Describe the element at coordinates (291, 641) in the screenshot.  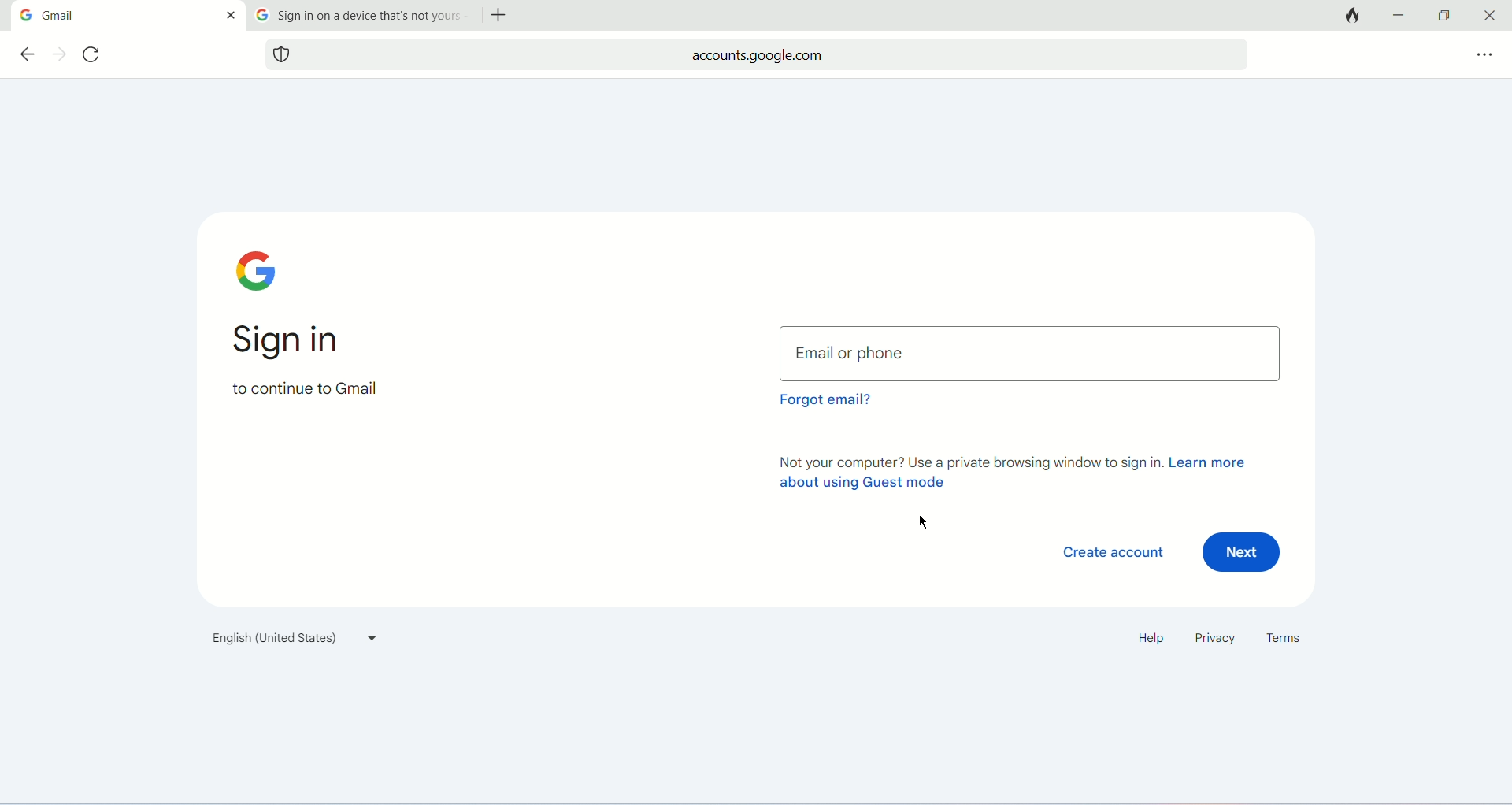
I see `language` at that location.